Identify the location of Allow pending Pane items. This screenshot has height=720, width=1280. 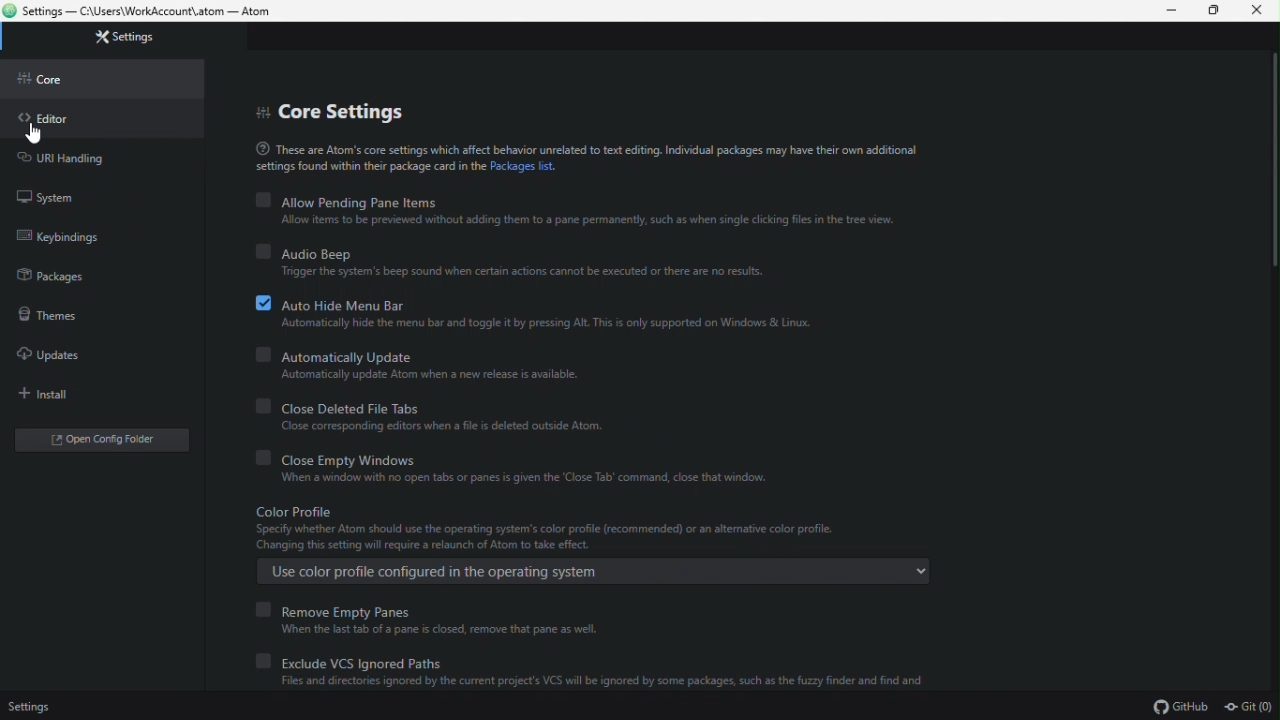
(583, 202).